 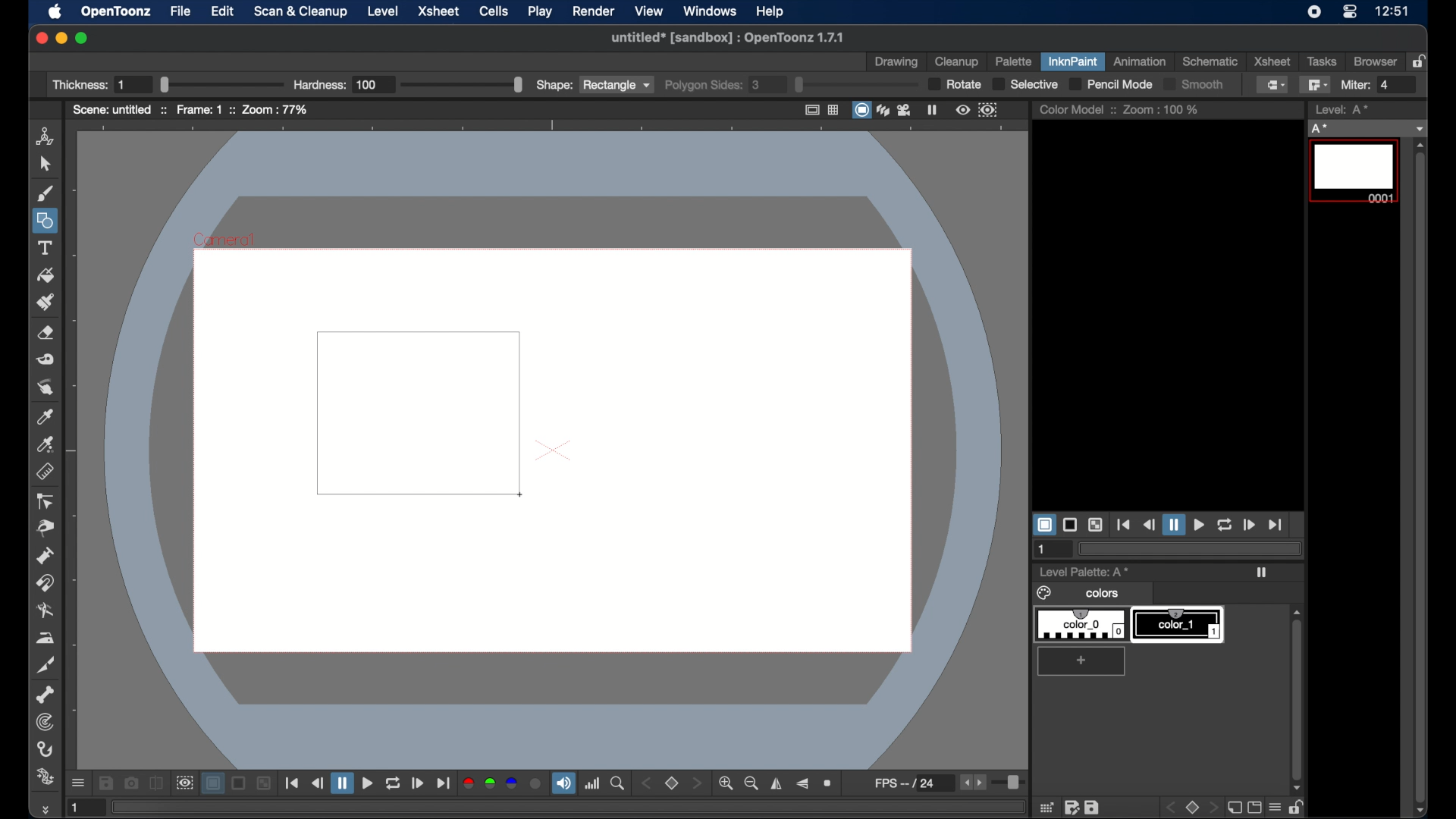 What do you see at coordinates (392, 784) in the screenshot?
I see `repeat` at bounding box center [392, 784].